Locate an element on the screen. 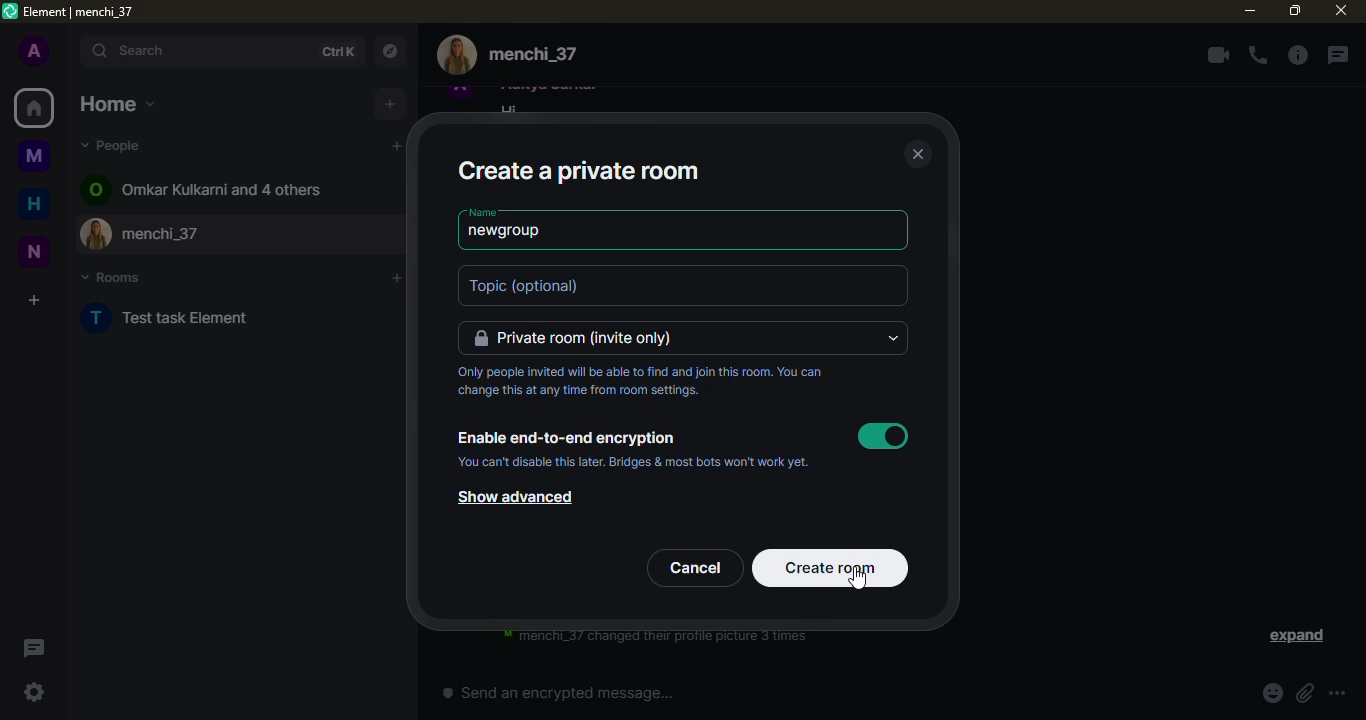 Image resolution: width=1366 pixels, height=720 pixels. explore rooms is located at coordinates (389, 51).